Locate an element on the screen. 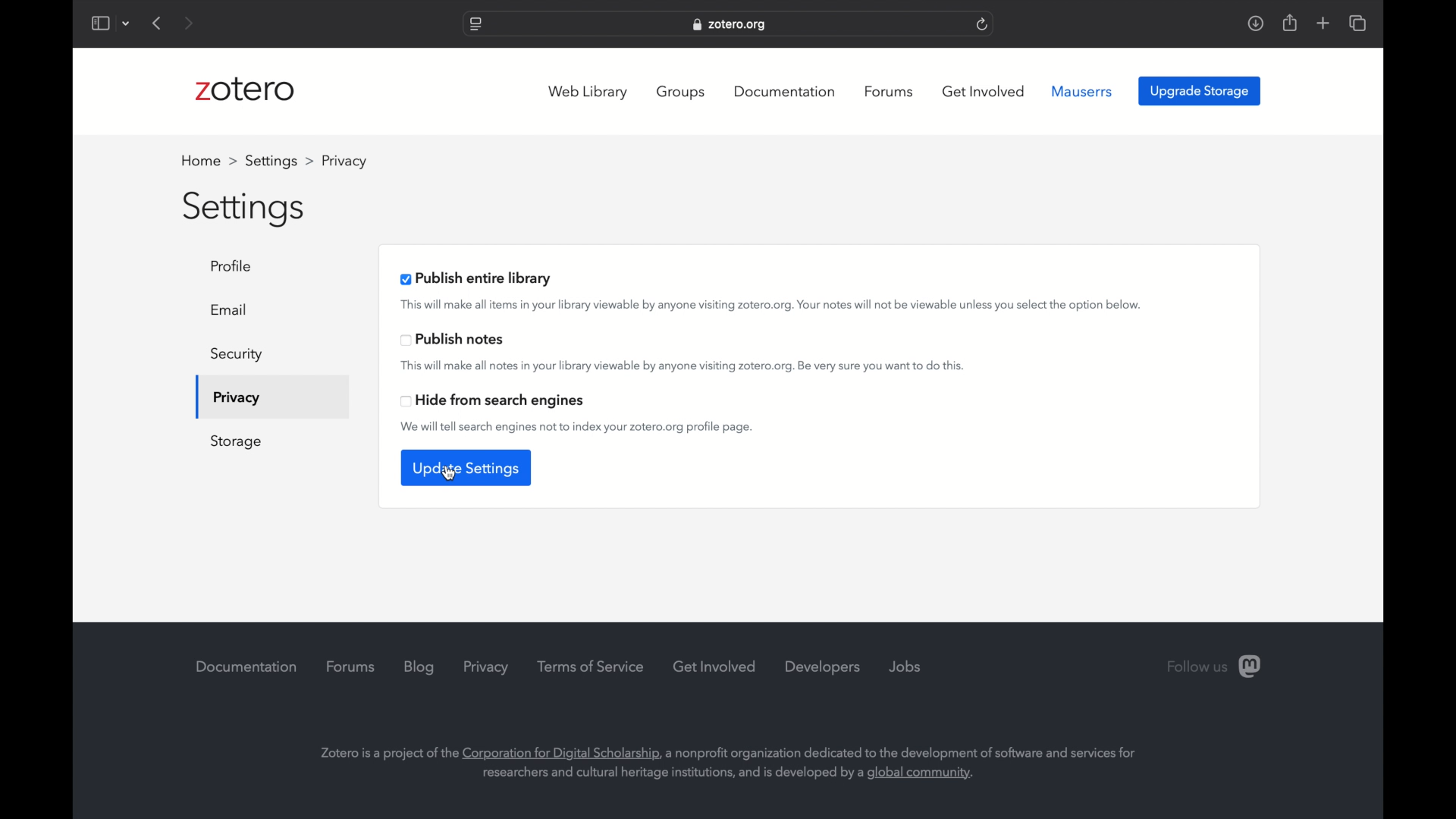 This screenshot has width=1456, height=819. settings is located at coordinates (246, 210).